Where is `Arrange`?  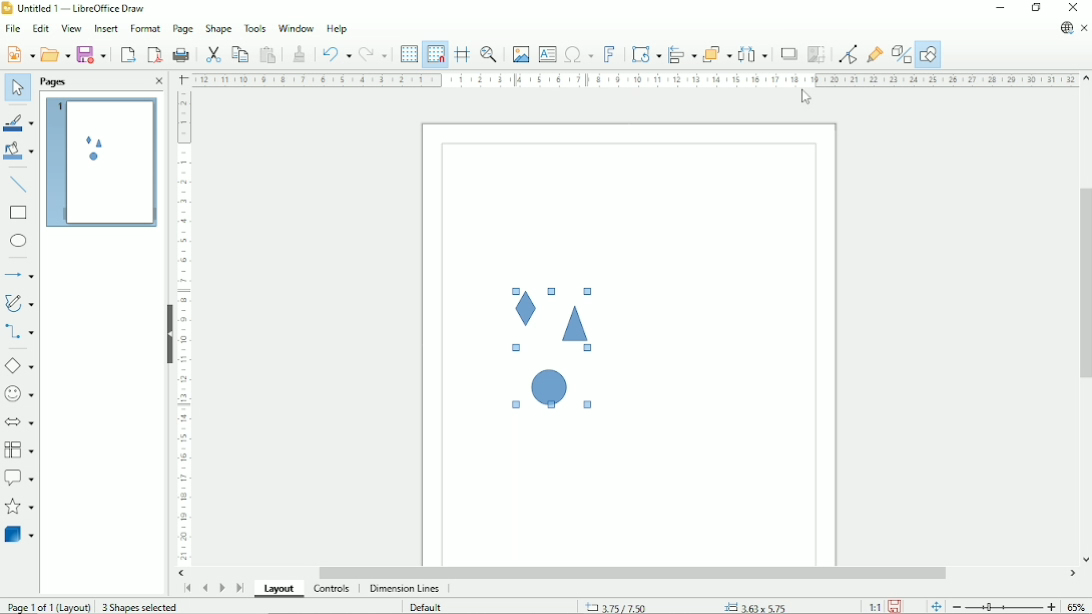
Arrange is located at coordinates (717, 54).